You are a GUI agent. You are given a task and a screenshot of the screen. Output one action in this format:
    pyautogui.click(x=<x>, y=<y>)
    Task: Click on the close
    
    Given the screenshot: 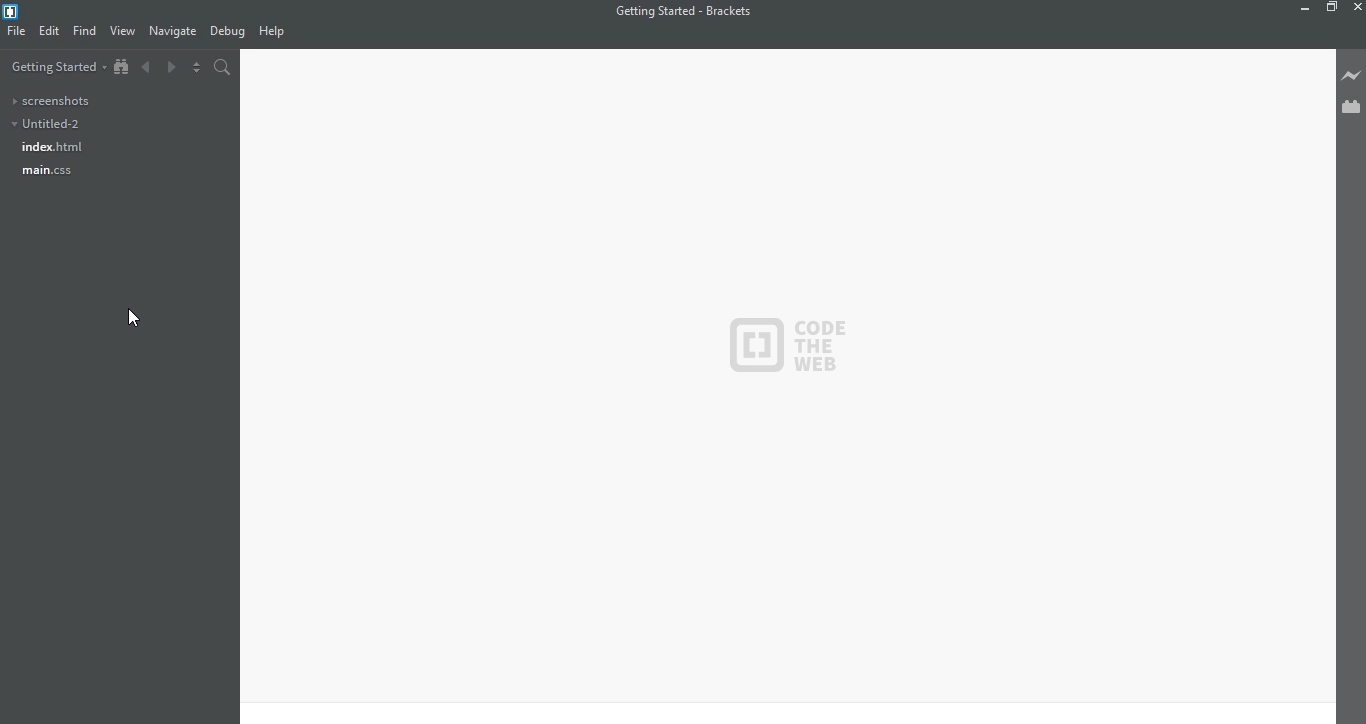 What is the action you would take?
    pyautogui.click(x=1355, y=7)
    